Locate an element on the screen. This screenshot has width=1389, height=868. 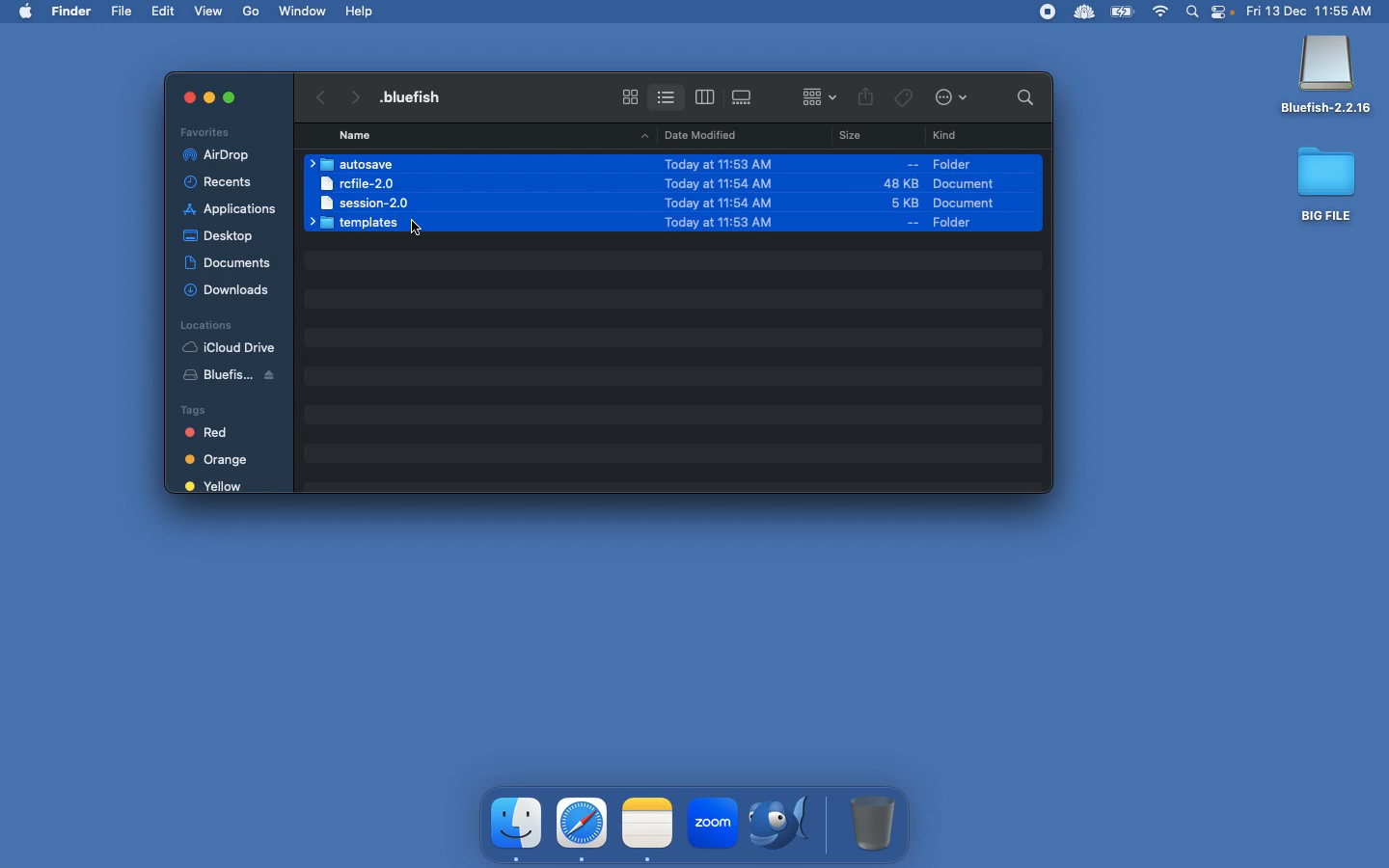
Tags is located at coordinates (221, 408).